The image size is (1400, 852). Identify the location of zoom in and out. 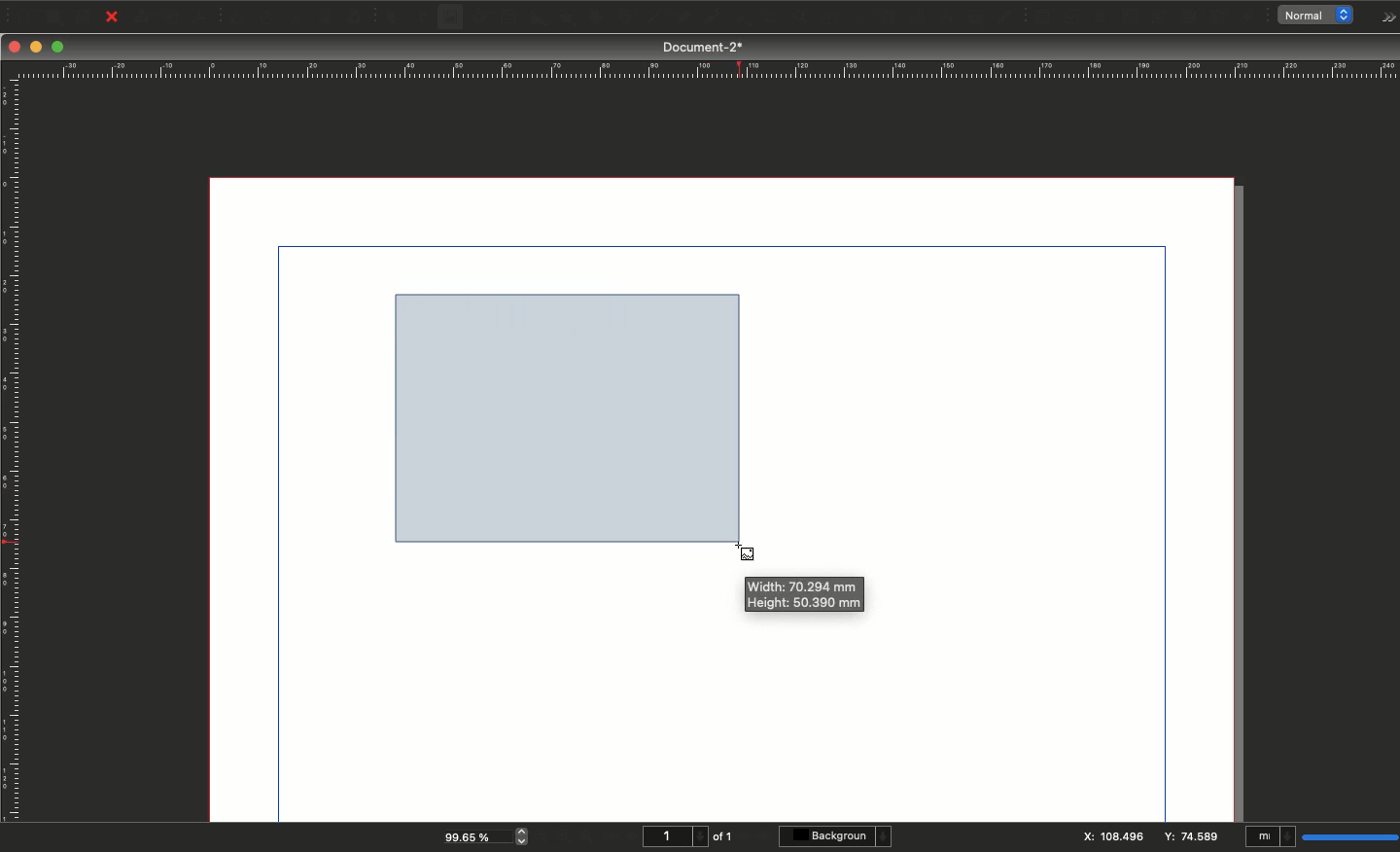
(525, 835).